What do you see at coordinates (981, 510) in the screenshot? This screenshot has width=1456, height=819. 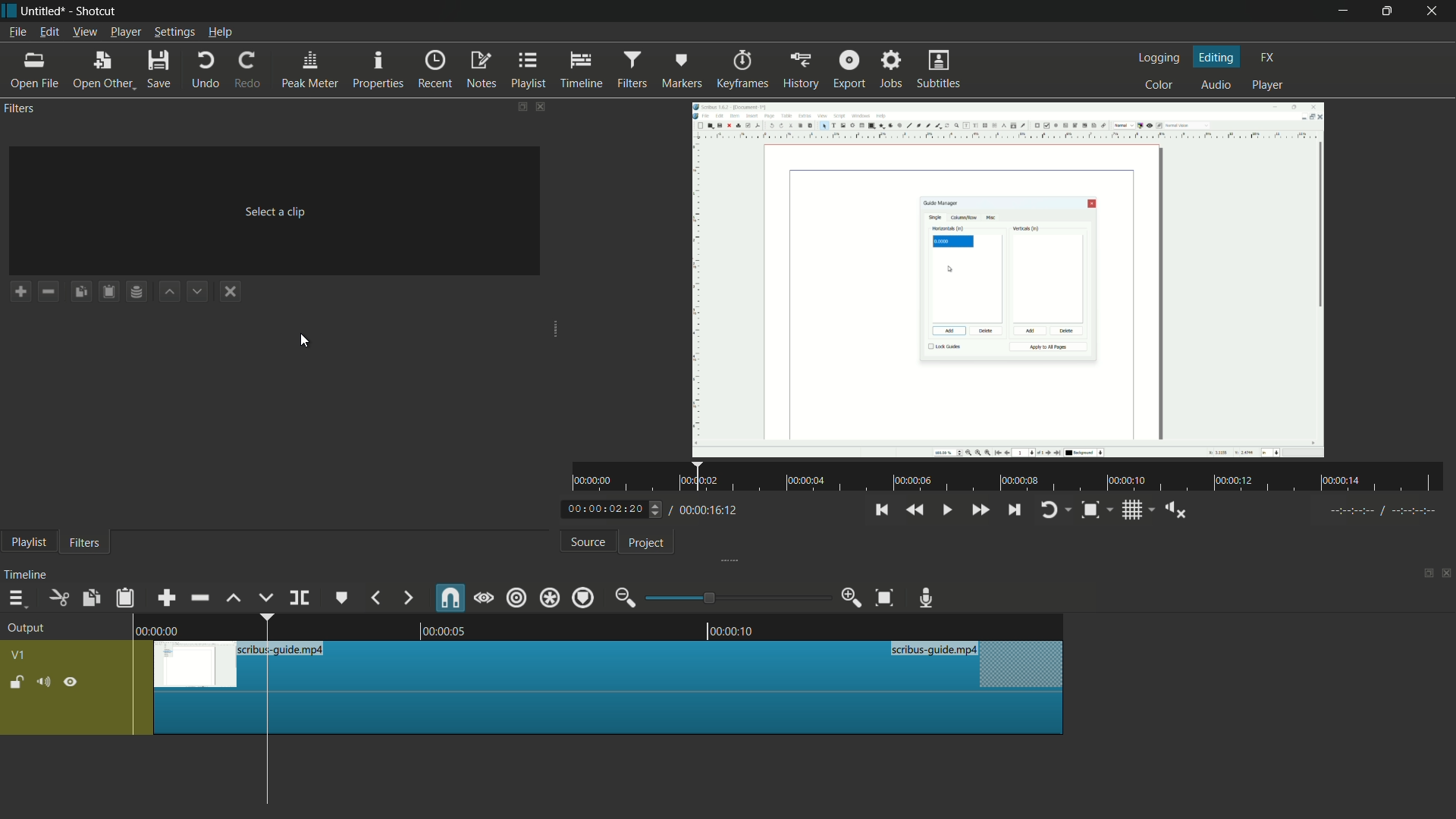 I see `quickly play forward` at bounding box center [981, 510].